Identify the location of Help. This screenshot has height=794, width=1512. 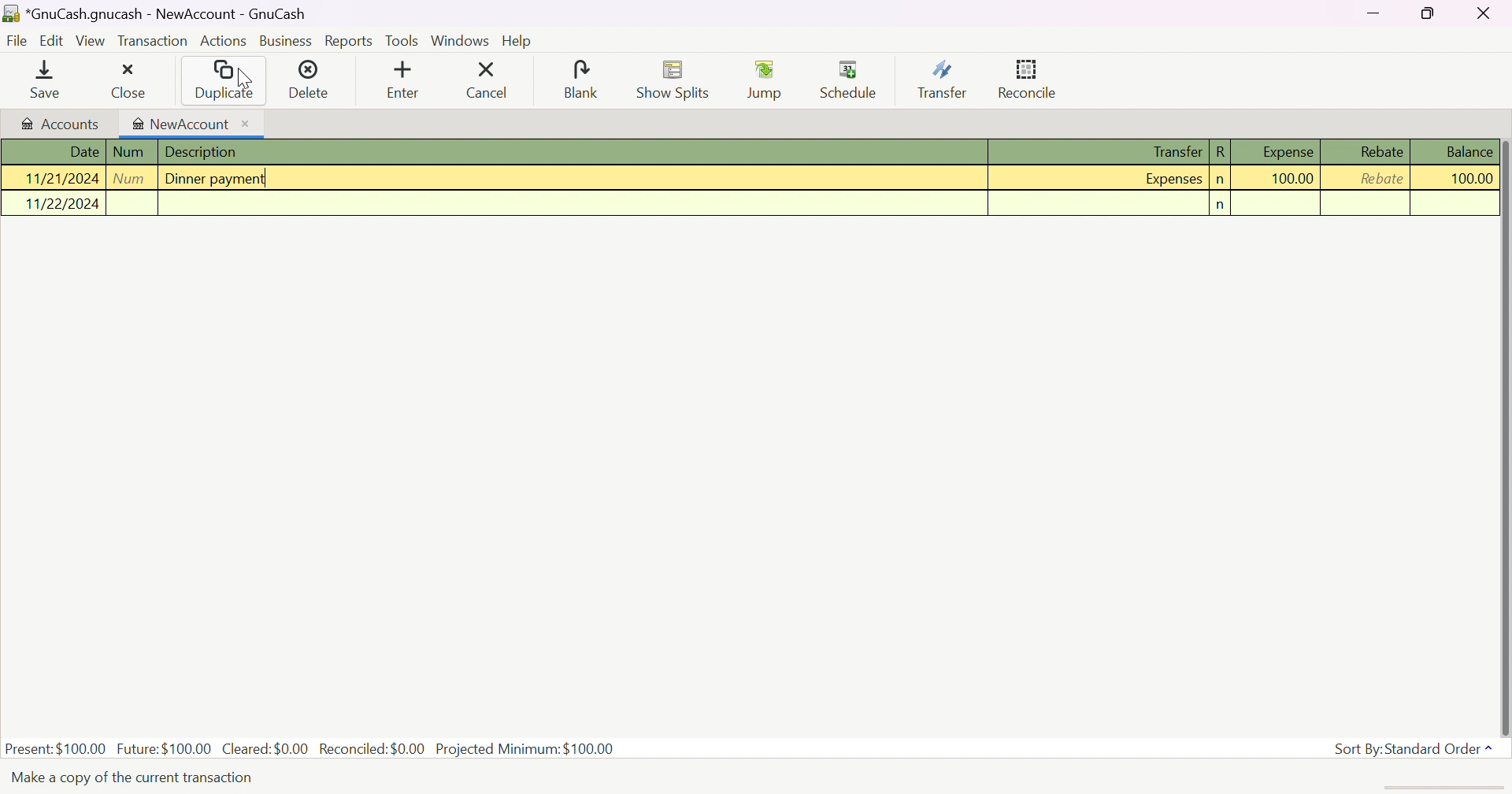
(517, 42).